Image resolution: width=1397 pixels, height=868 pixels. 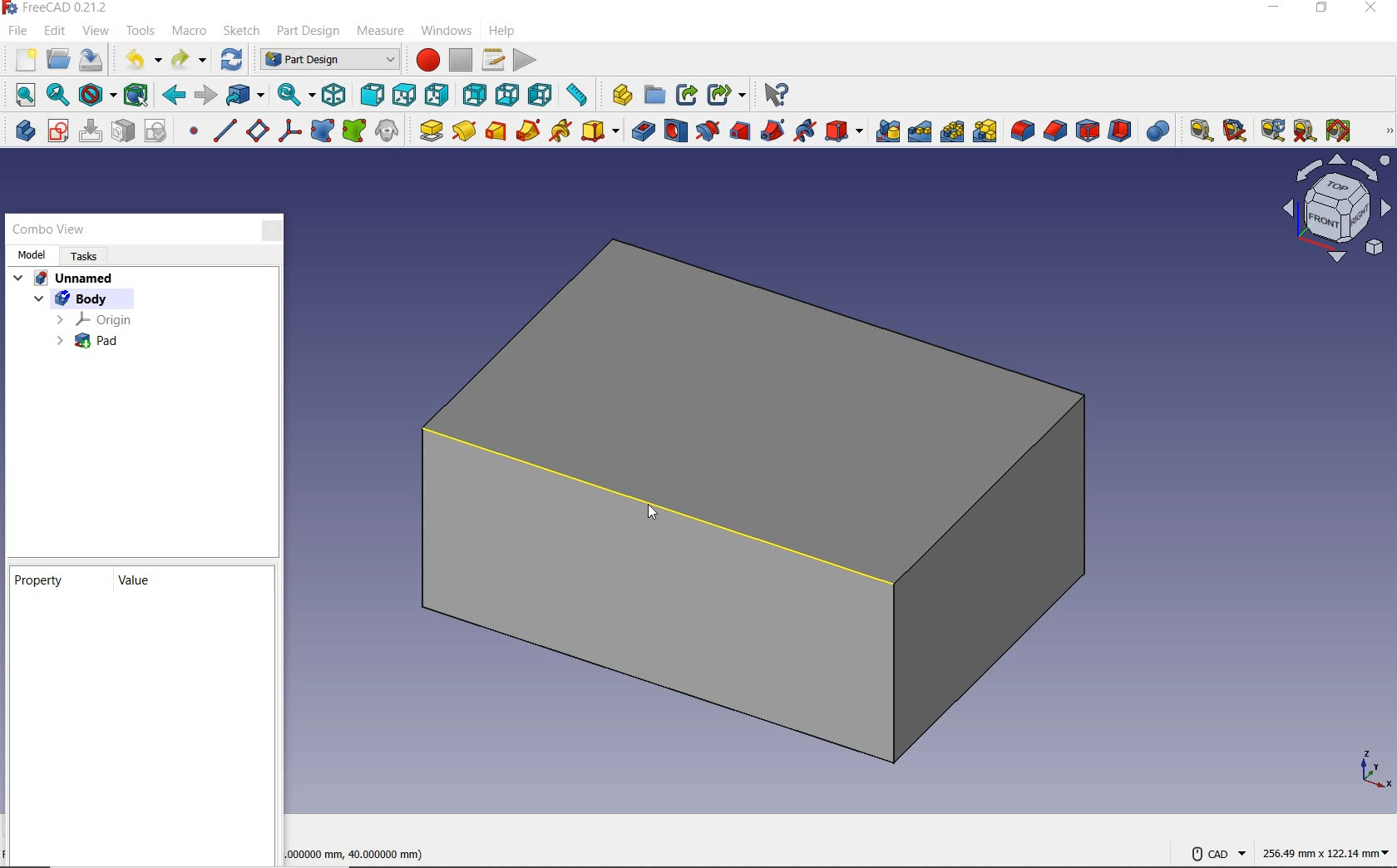 What do you see at coordinates (1237, 131) in the screenshot?
I see `measure angular` at bounding box center [1237, 131].